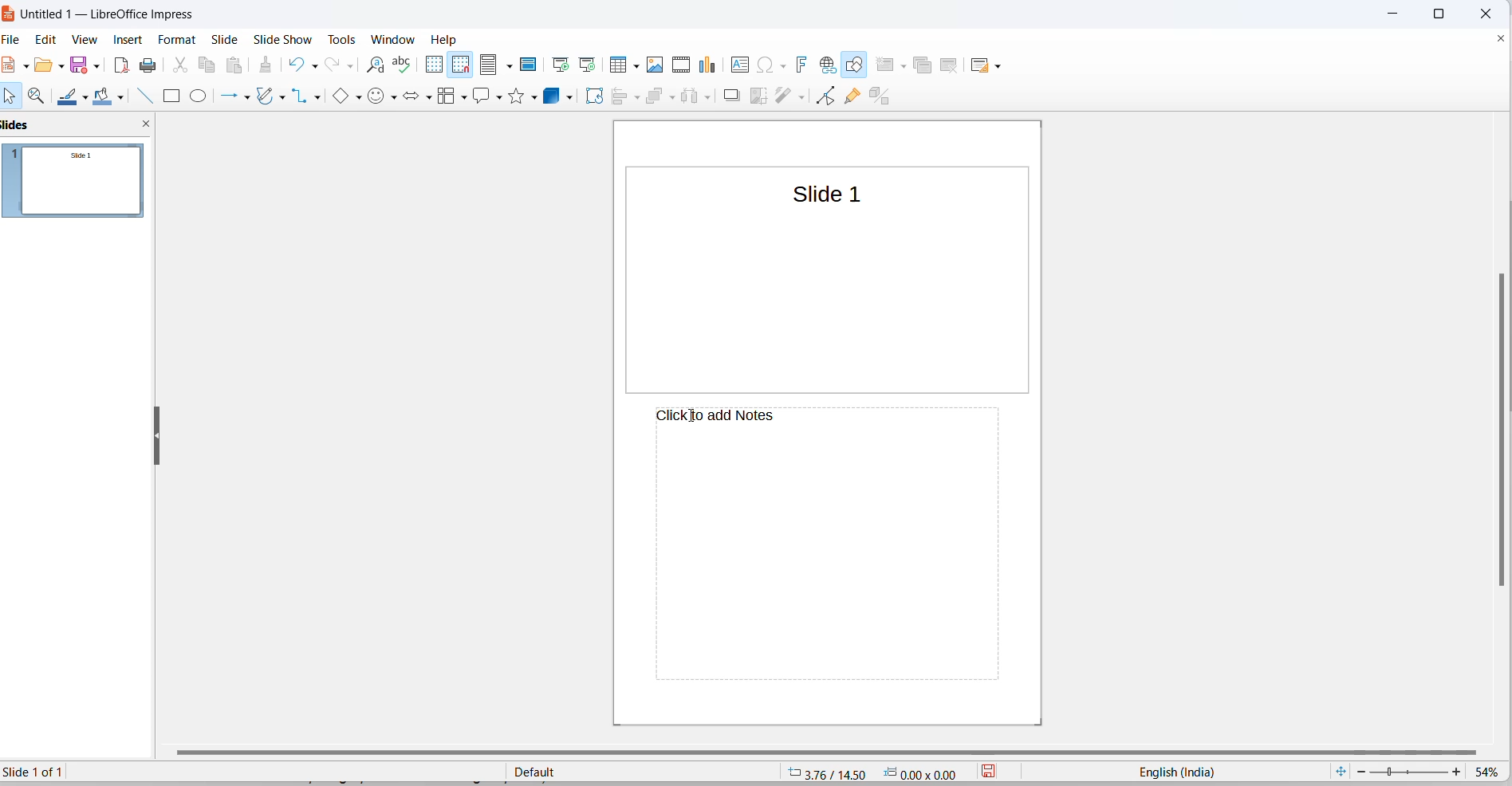 The height and width of the screenshot is (786, 1512). I want to click on save, so click(80, 64).